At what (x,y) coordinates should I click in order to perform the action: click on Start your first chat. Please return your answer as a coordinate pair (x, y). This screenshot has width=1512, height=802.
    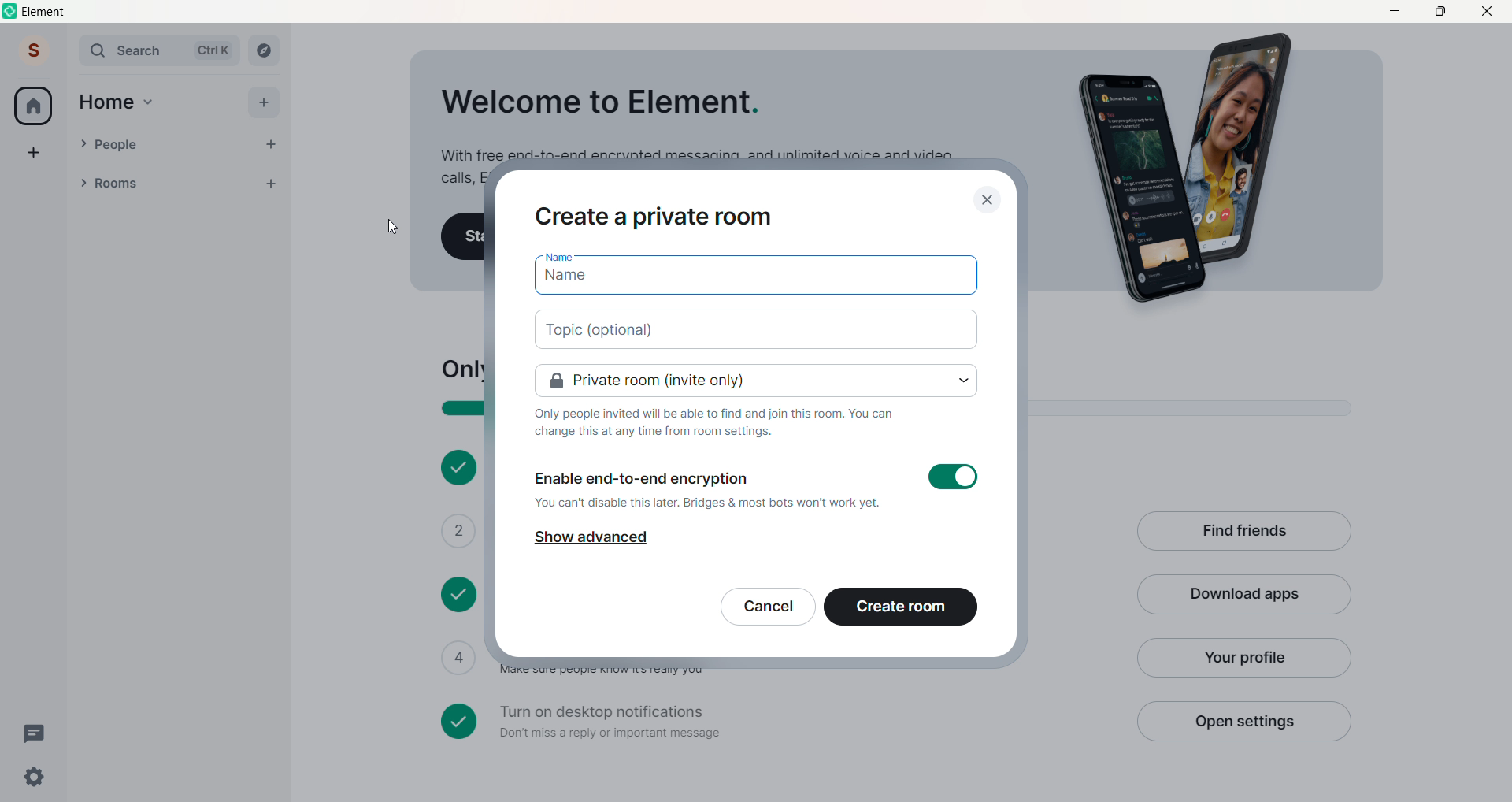
    Looking at the image, I should click on (463, 237).